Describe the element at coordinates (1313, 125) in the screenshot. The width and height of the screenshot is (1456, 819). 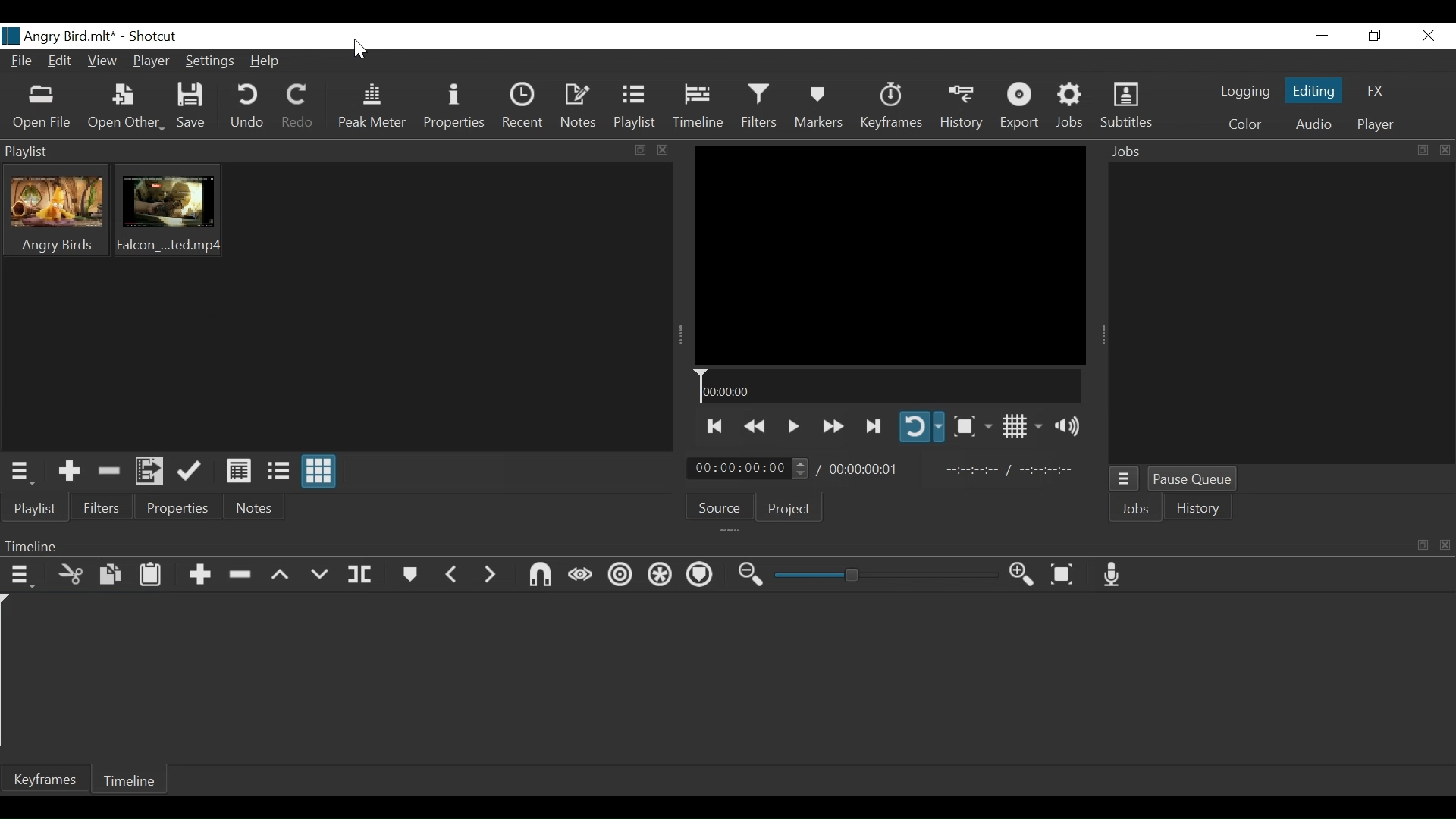
I see `` at that location.